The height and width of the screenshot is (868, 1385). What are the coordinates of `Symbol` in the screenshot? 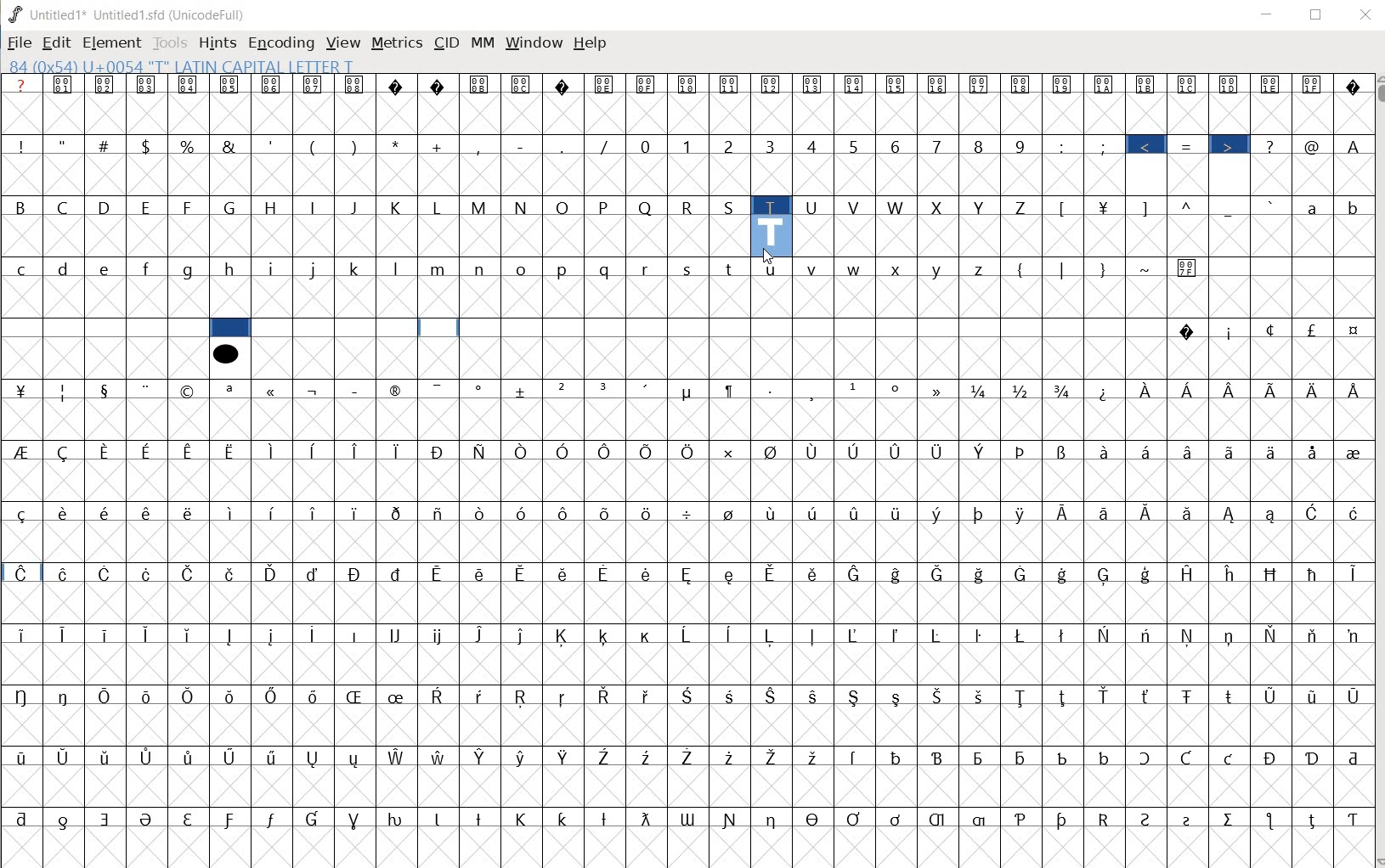 It's located at (438, 389).